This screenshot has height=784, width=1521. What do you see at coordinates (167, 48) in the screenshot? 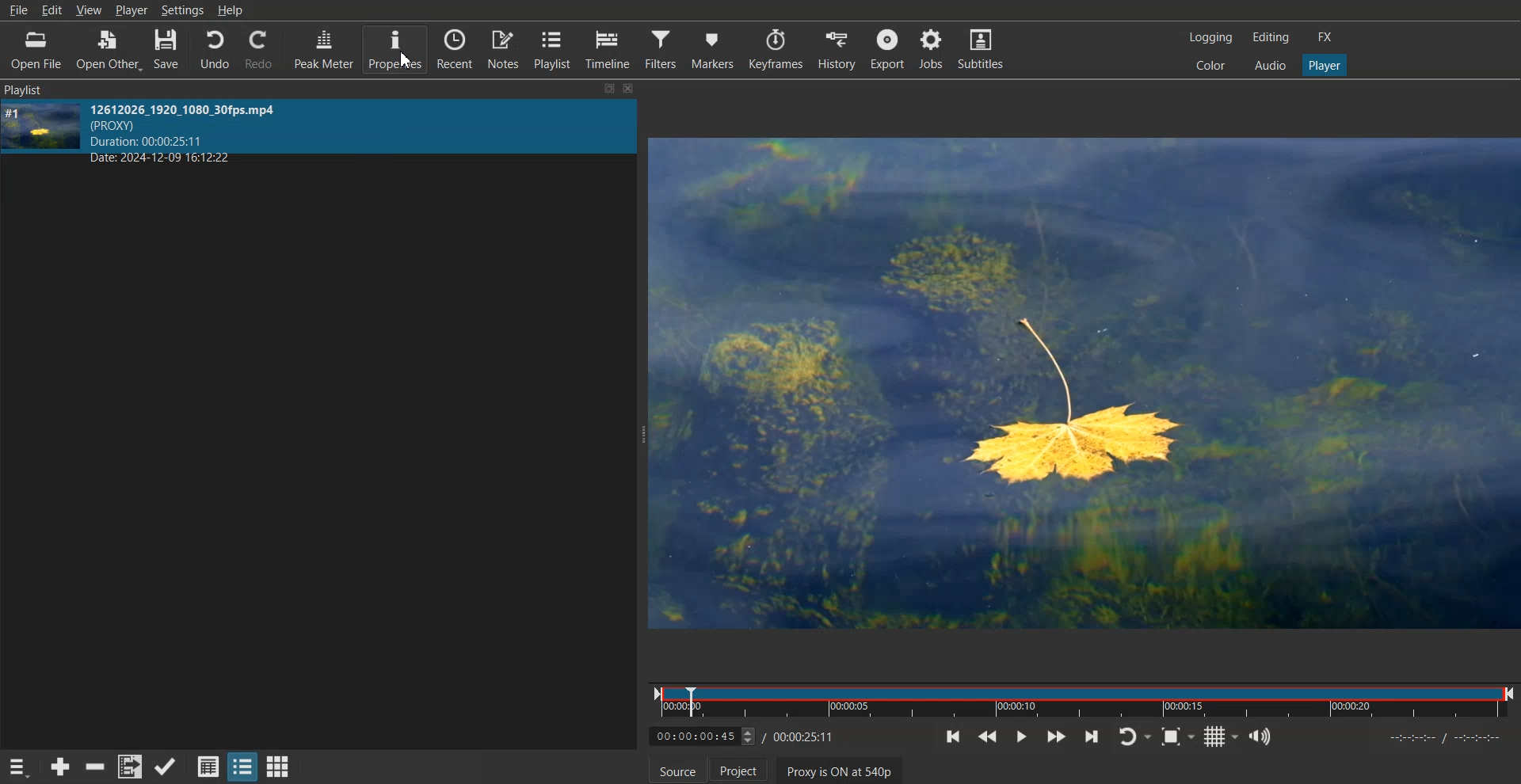
I see `Save` at bounding box center [167, 48].